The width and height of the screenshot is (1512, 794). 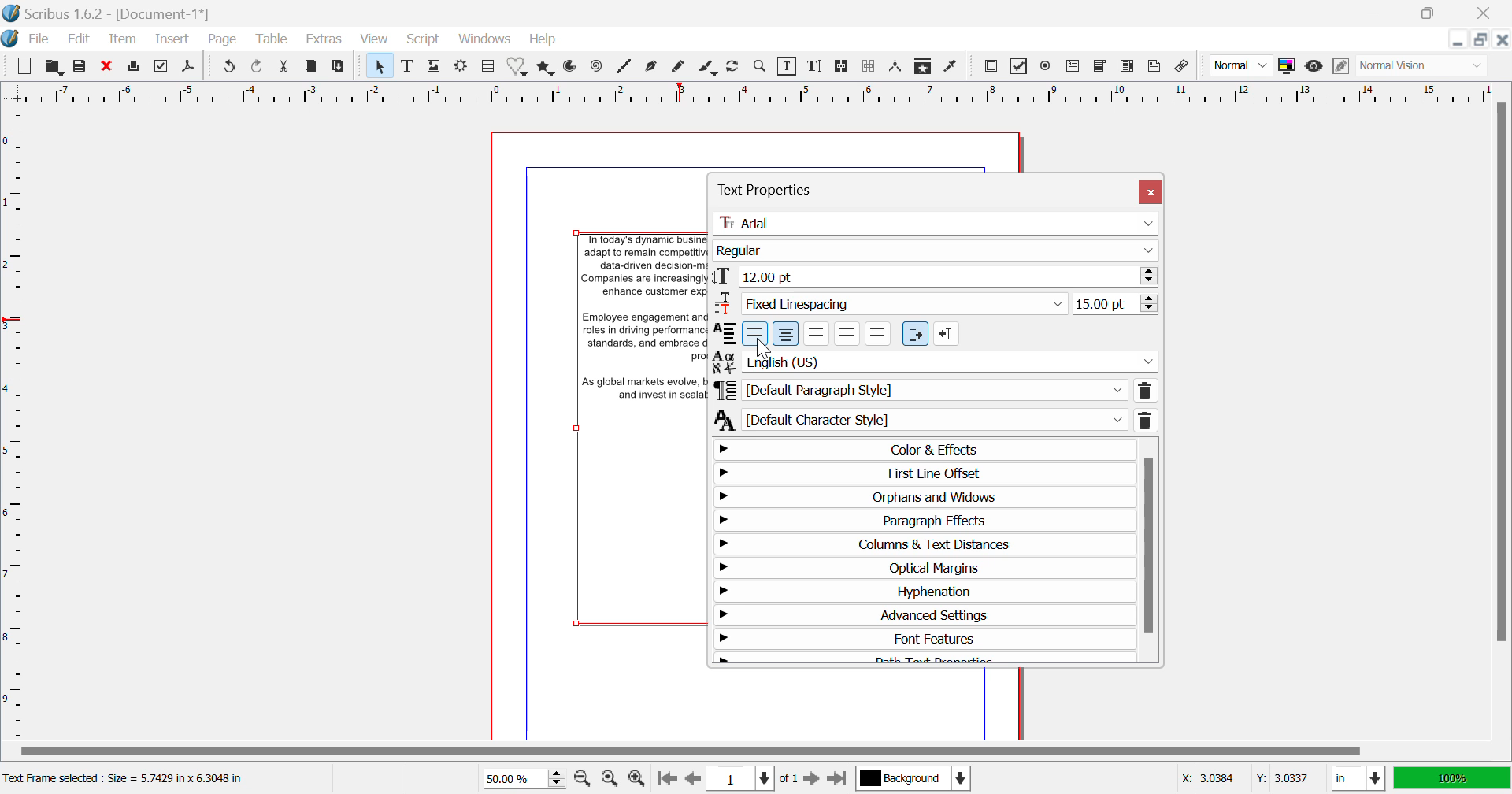 I want to click on Alignment, so click(x=724, y=336).